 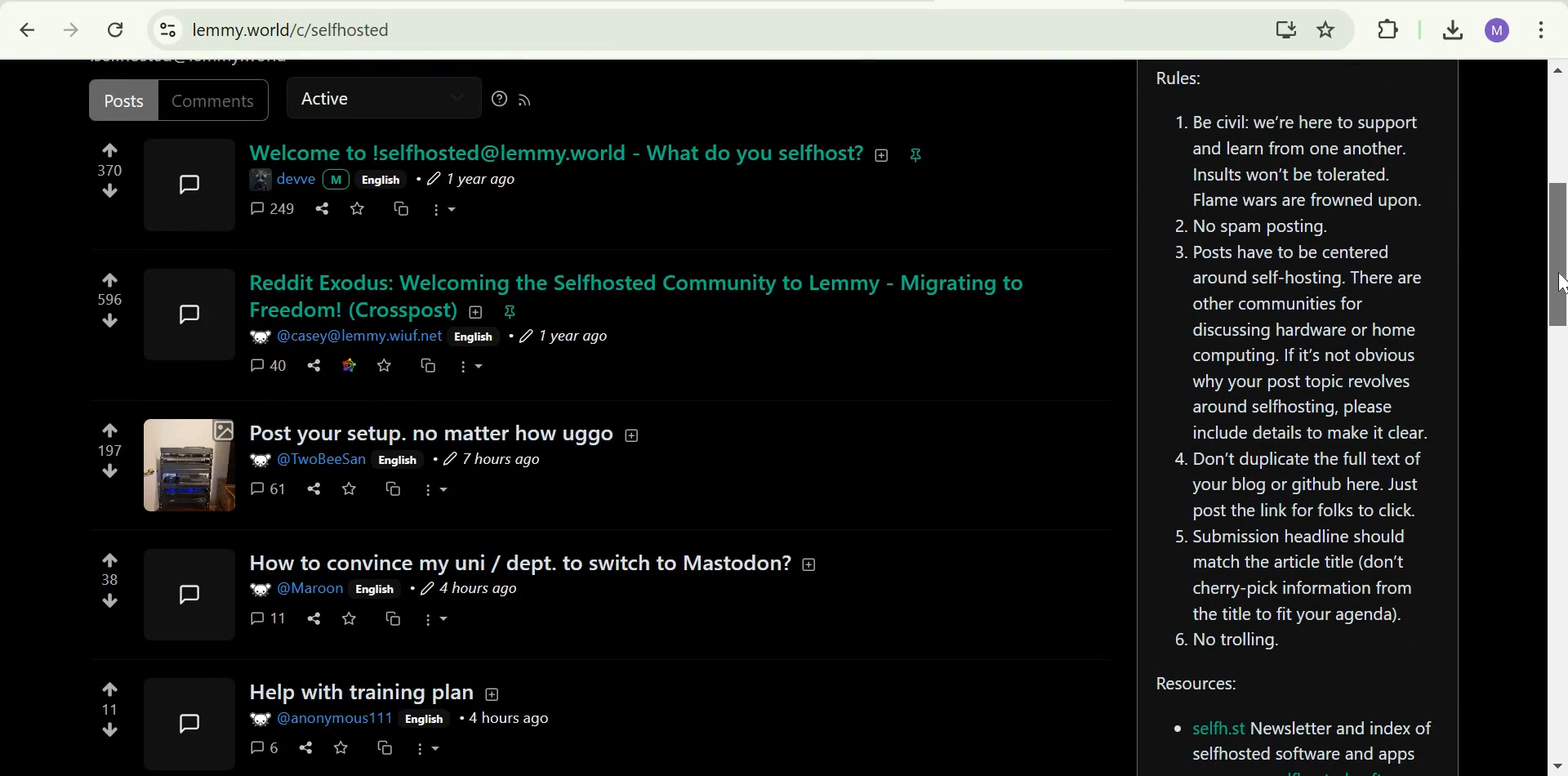 I want to click on share, so click(x=305, y=747).